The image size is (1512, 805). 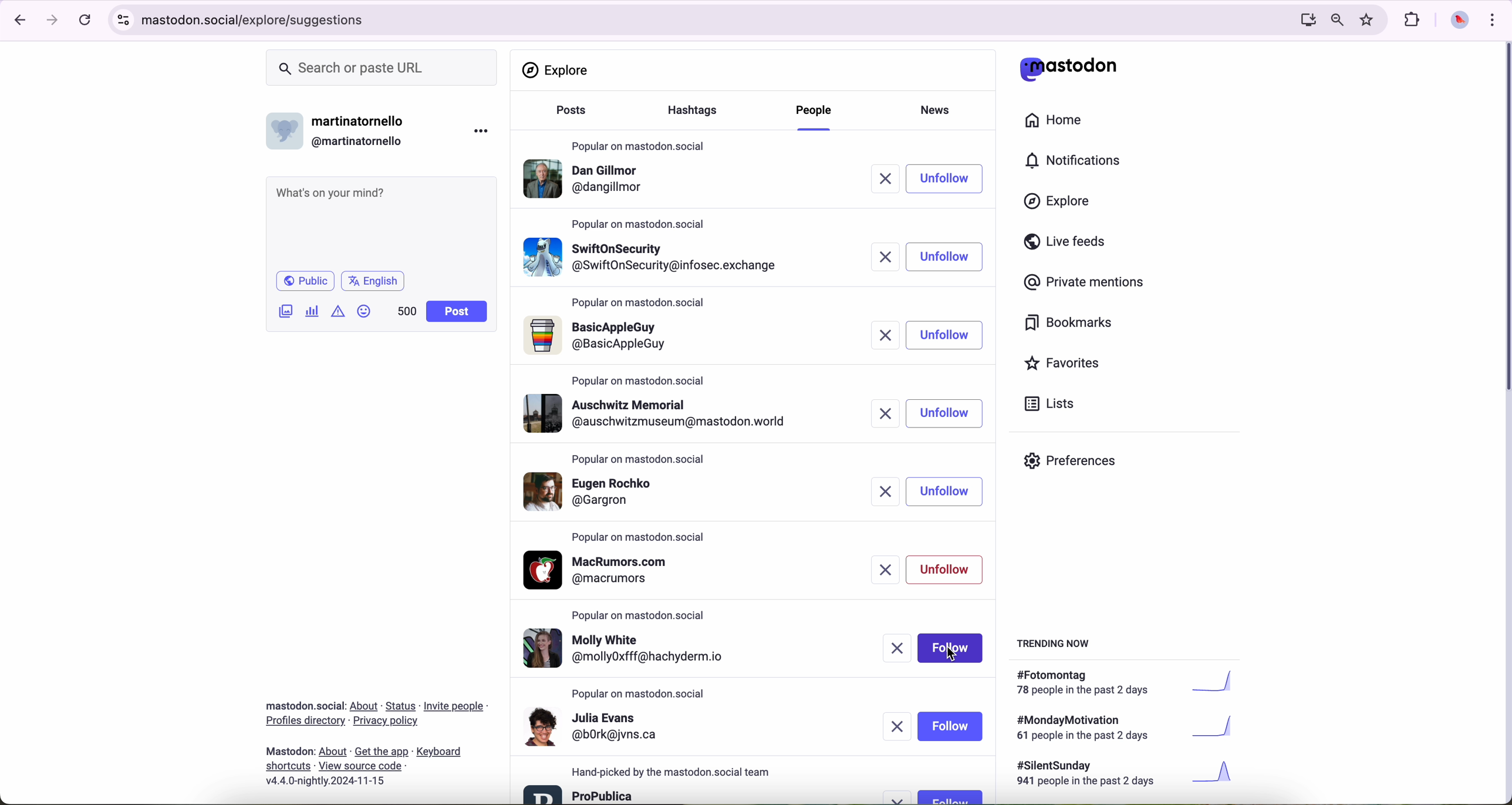 I want to click on scroll bar, so click(x=1503, y=220).